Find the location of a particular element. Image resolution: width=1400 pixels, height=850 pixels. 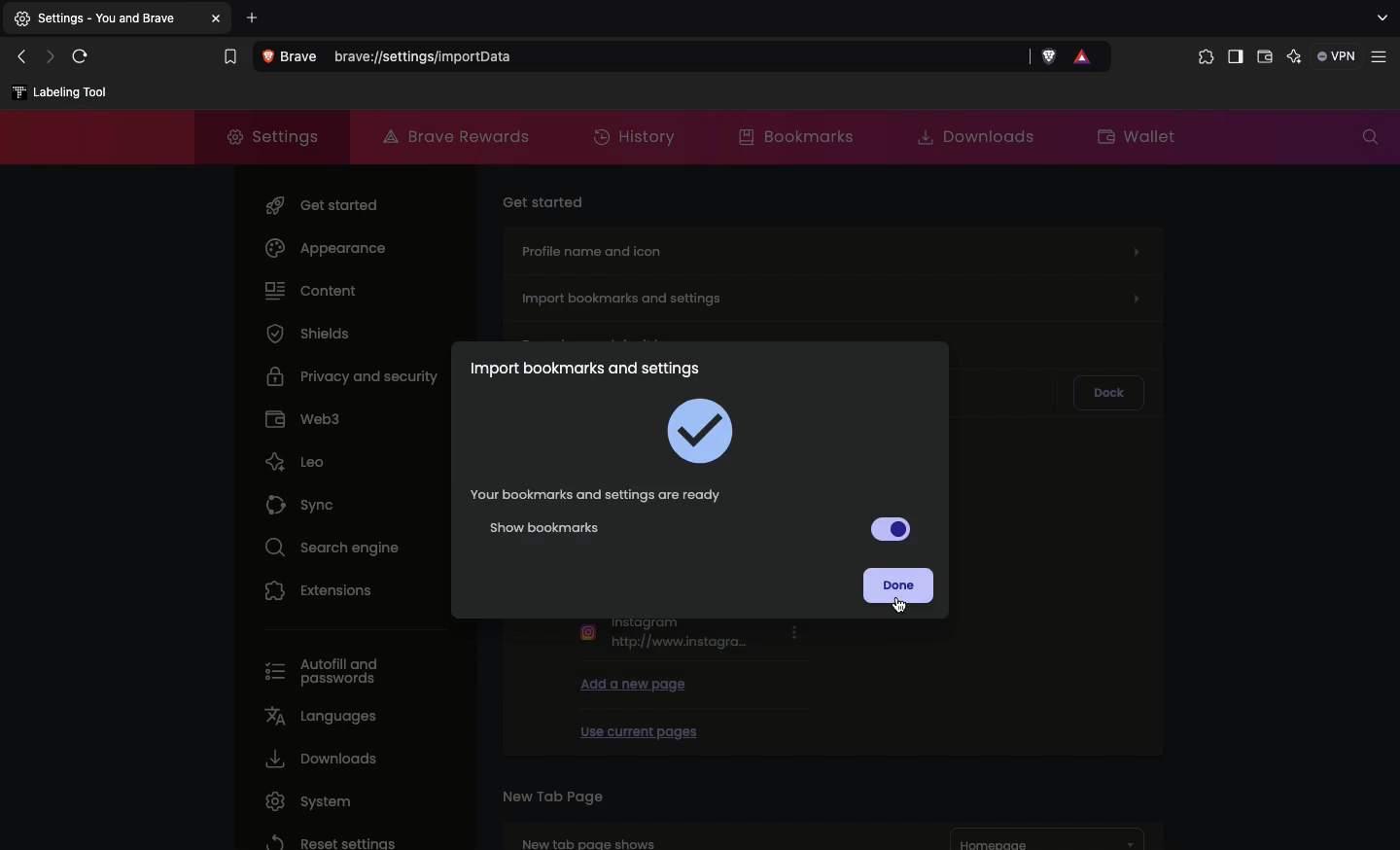

Settings is located at coordinates (264, 134).